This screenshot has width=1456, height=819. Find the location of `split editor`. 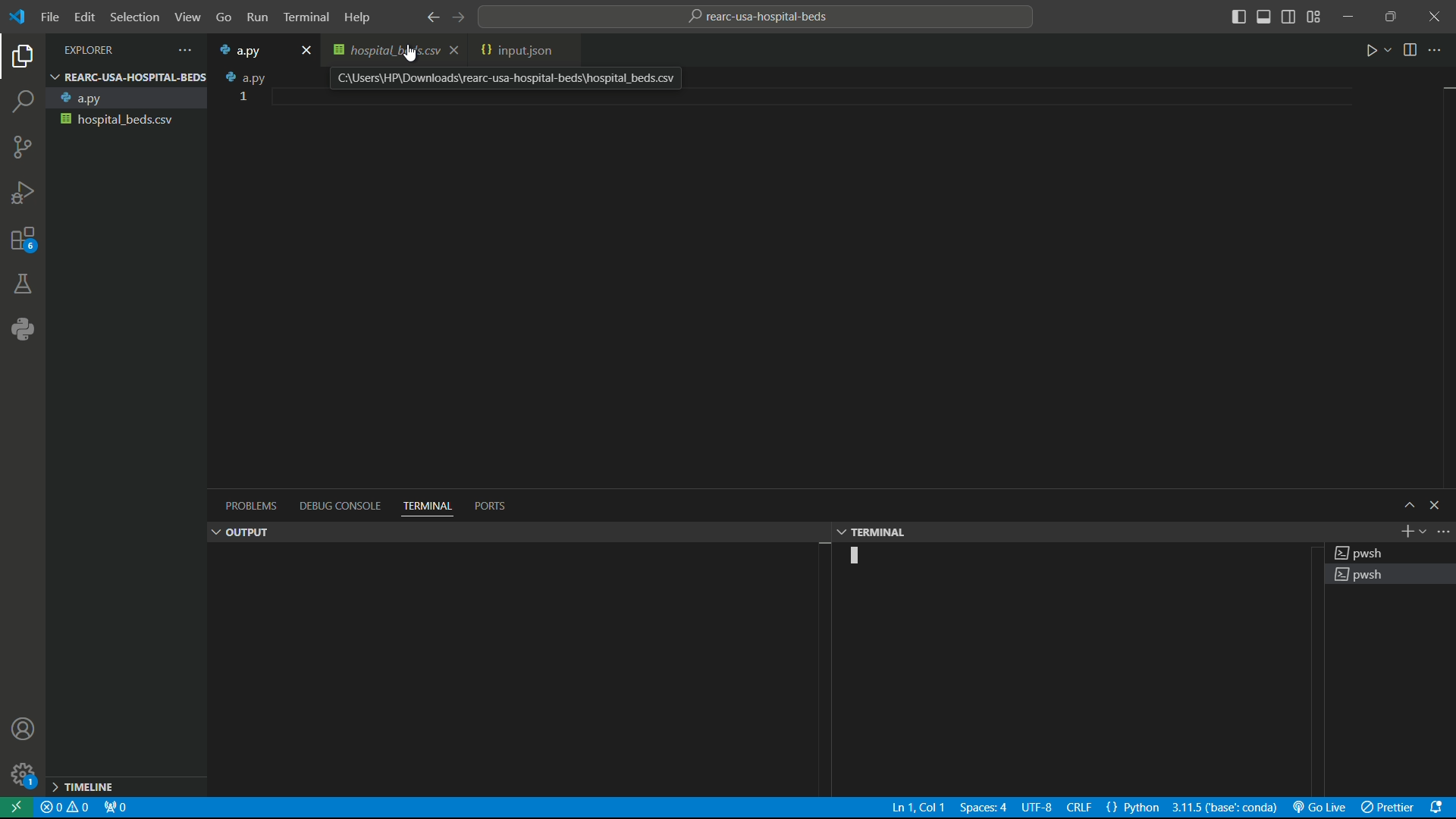

split editor is located at coordinates (1410, 52).